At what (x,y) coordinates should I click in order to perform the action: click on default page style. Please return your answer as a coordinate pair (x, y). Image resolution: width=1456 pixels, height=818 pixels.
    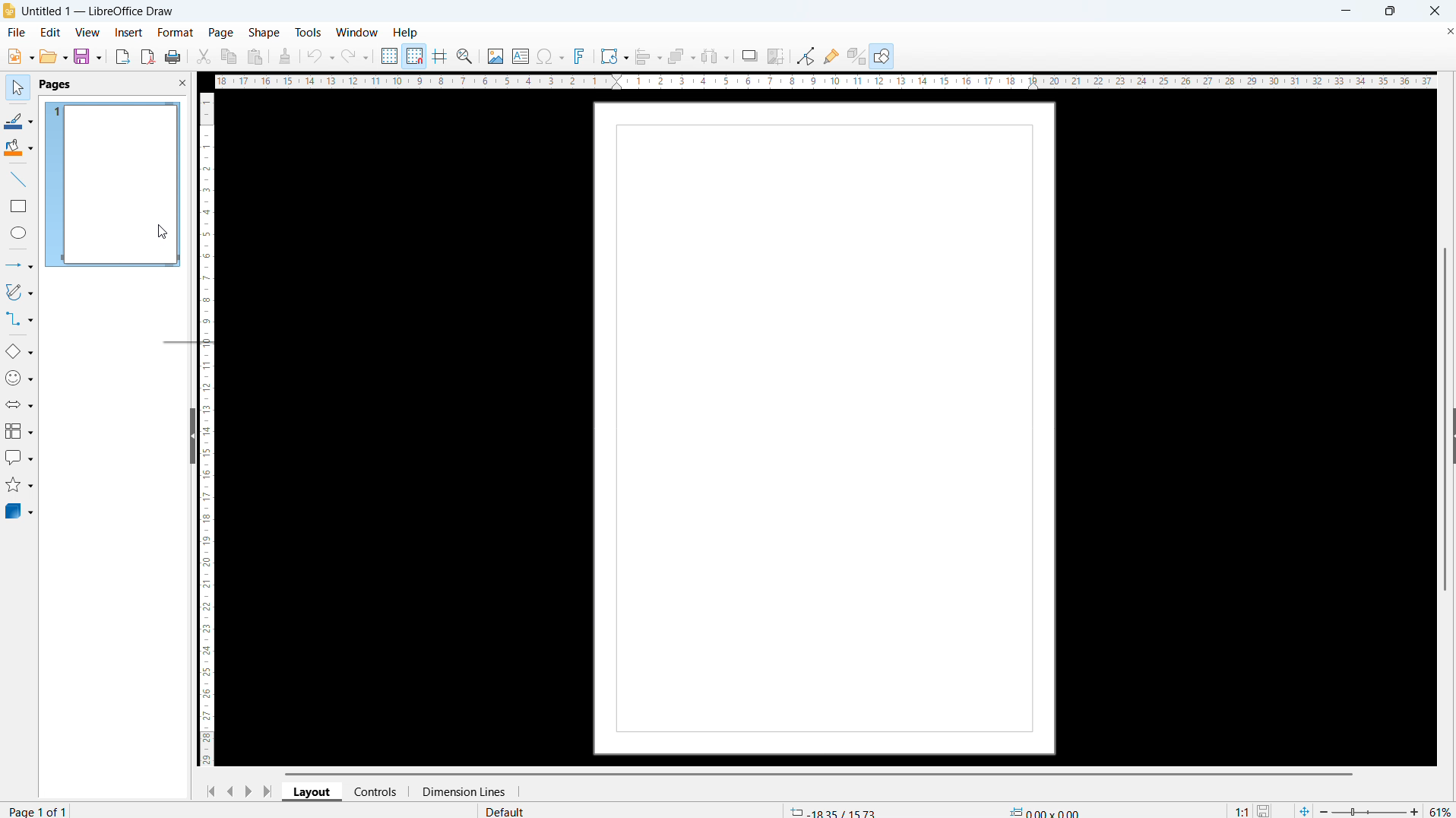
    Looking at the image, I should click on (505, 811).